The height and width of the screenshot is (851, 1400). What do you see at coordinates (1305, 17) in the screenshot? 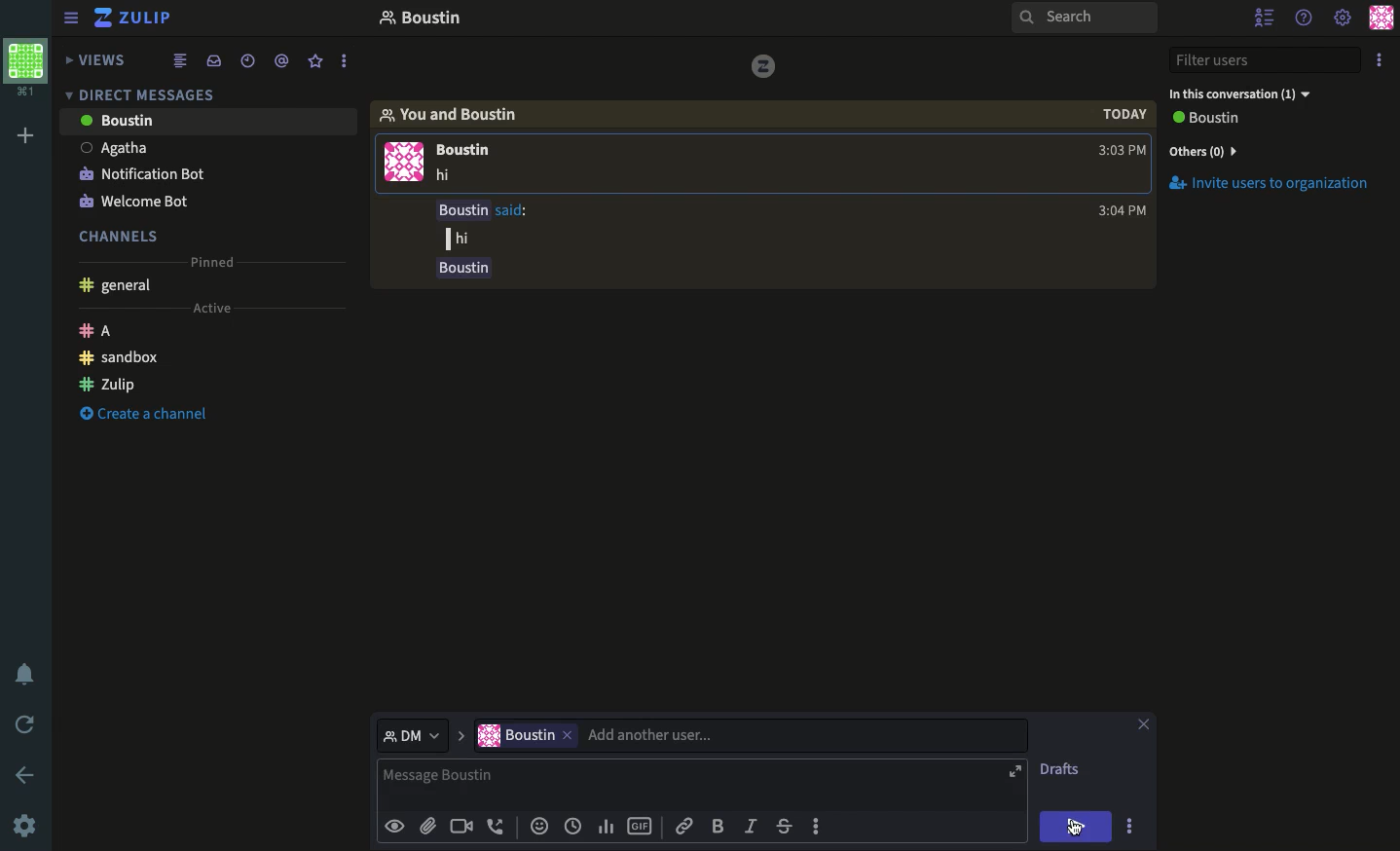
I see `Help` at bounding box center [1305, 17].